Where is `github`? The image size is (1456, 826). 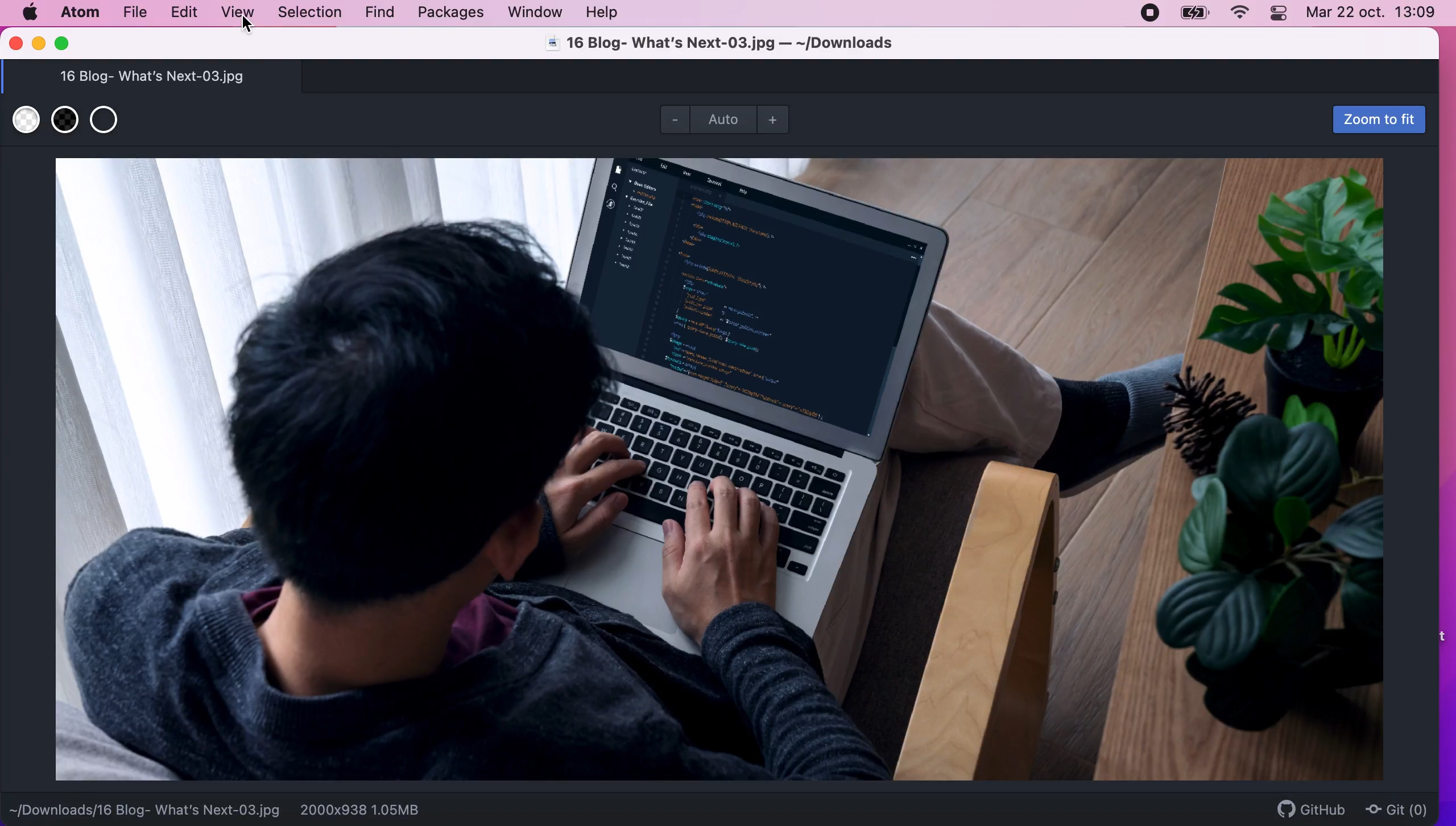
github is located at coordinates (1312, 808).